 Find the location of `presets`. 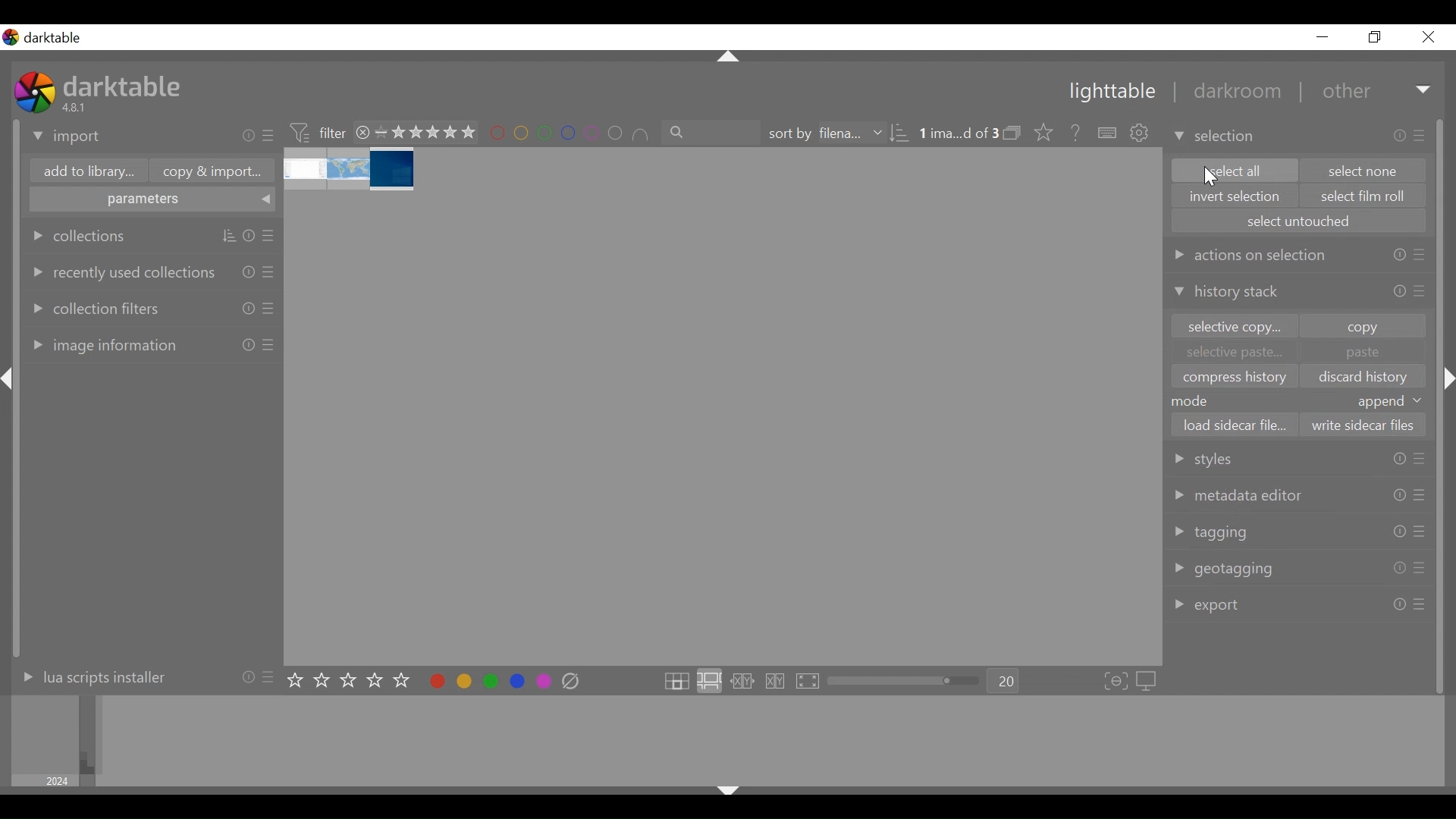

presets is located at coordinates (1420, 257).